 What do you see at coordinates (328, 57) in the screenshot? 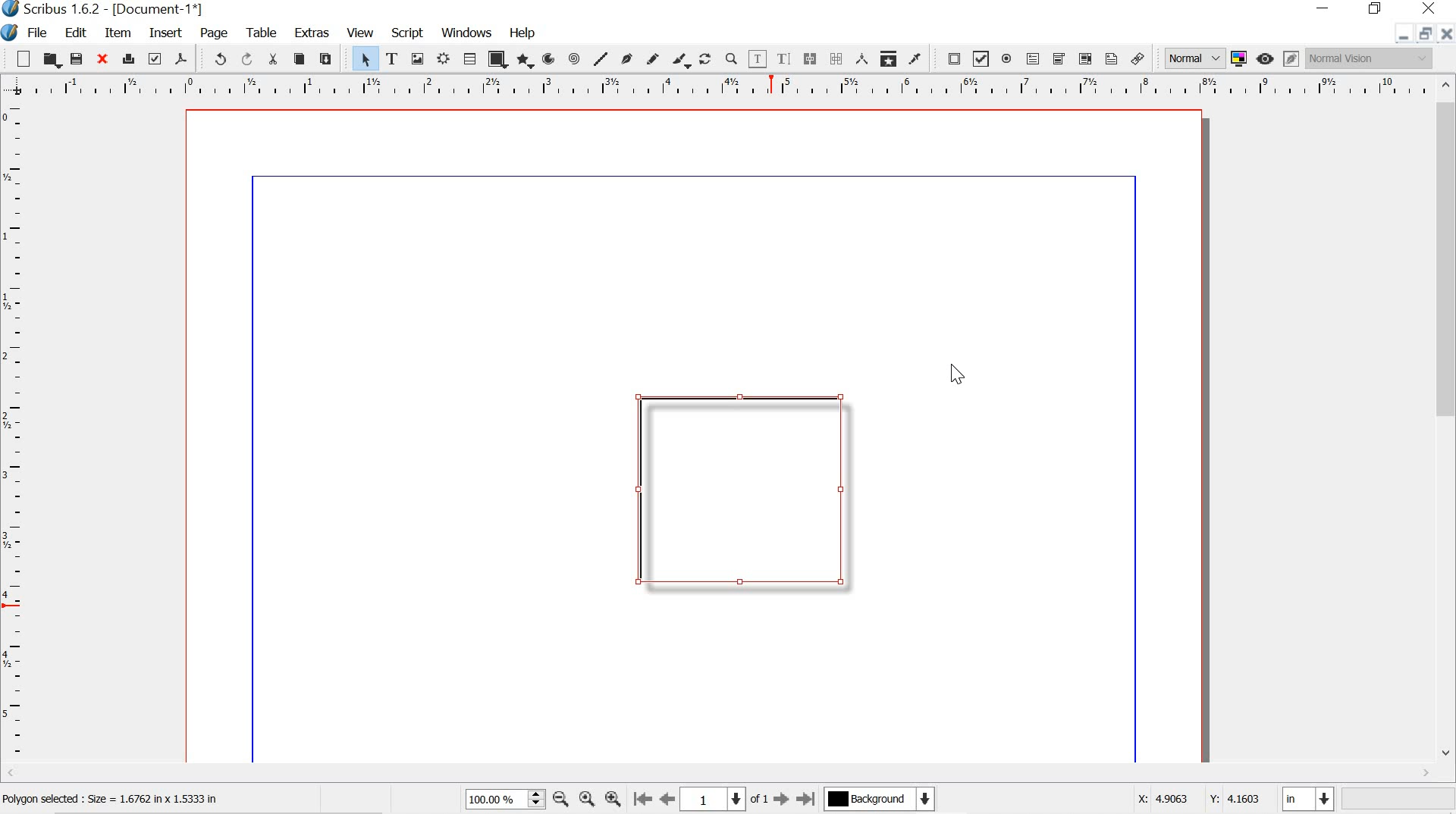
I see `paste` at bounding box center [328, 57].